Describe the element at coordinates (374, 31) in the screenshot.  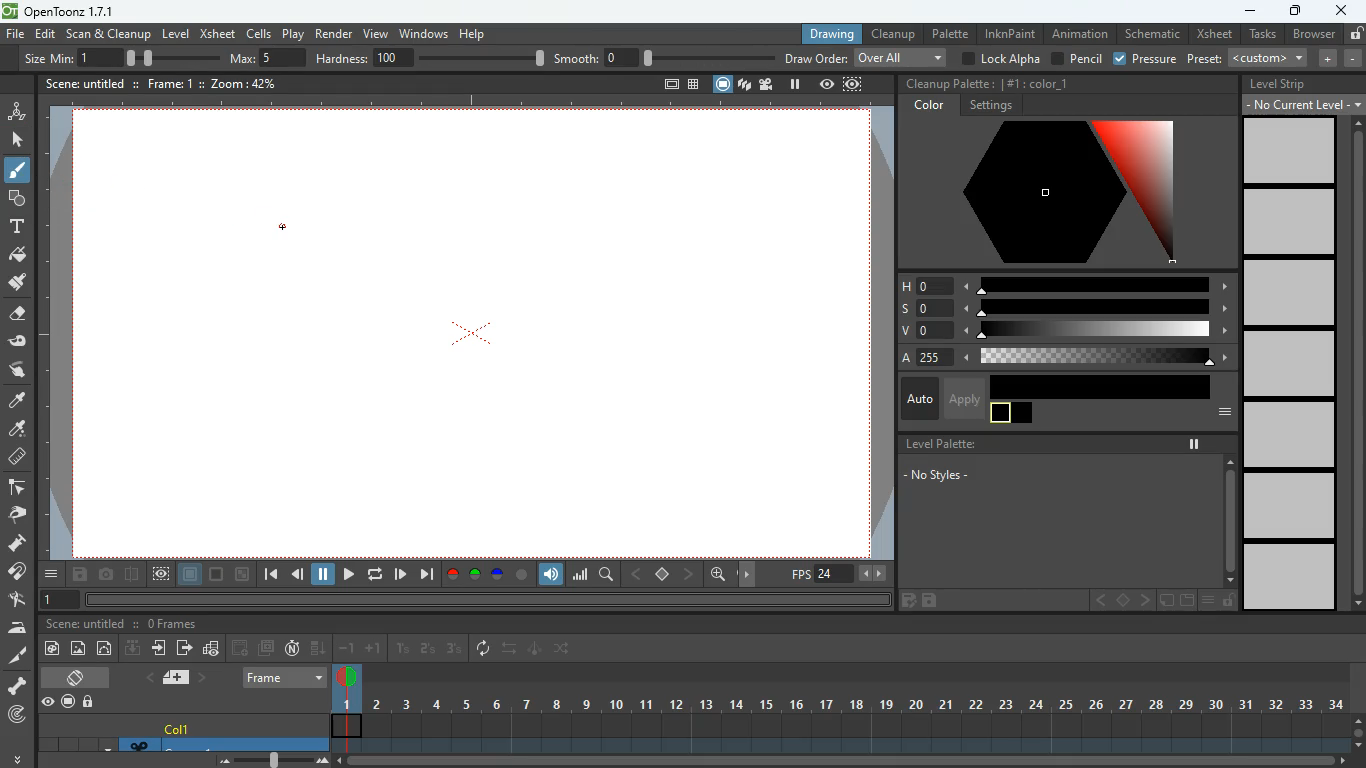
I see `view` at that location.